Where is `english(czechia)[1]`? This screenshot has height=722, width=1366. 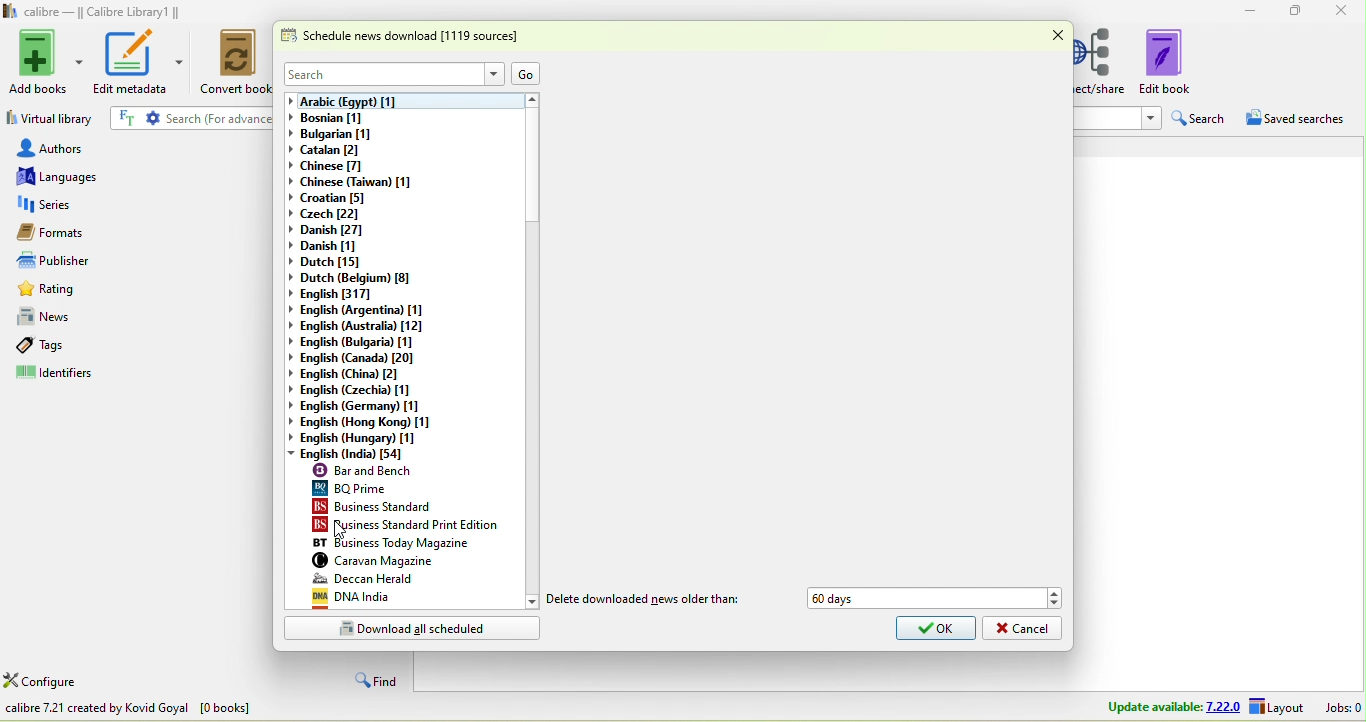
english(czechia)[1] is located at coordinates (367, 390).